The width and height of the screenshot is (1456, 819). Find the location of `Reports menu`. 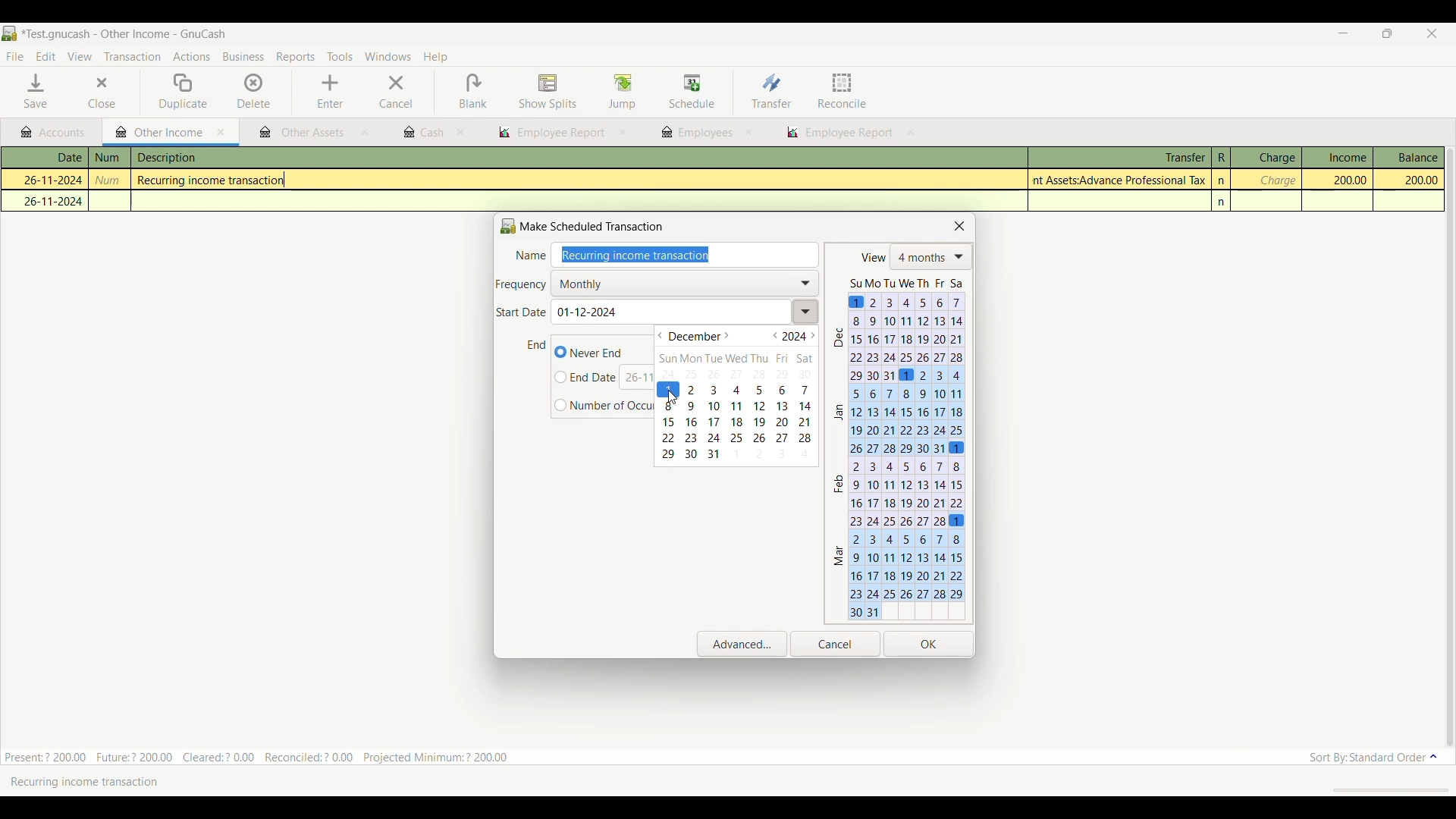

Reports menu is located at coordinates (297, 57).